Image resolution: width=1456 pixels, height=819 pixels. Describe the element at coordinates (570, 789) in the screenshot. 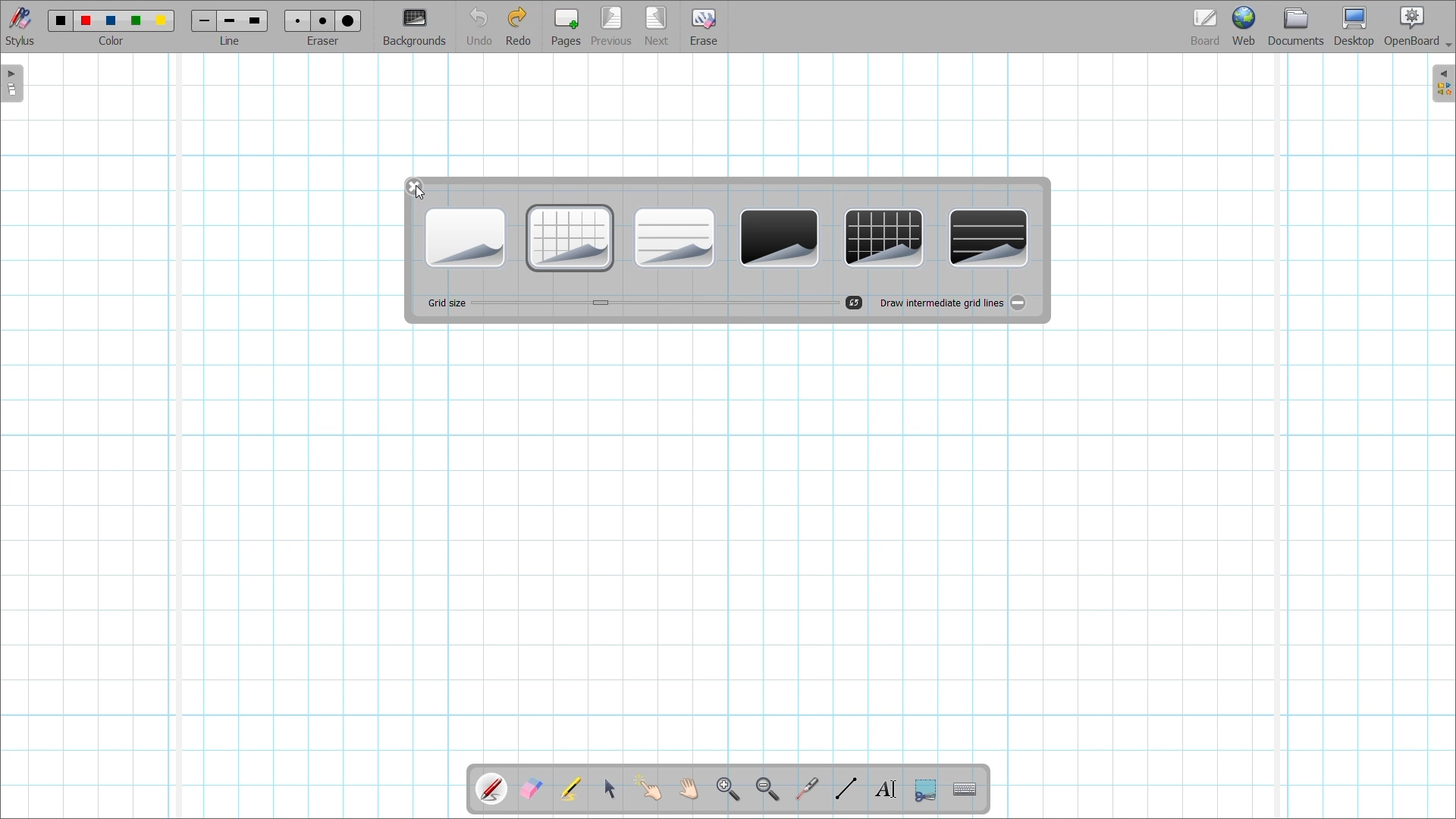

I see `Highlight` at that location.